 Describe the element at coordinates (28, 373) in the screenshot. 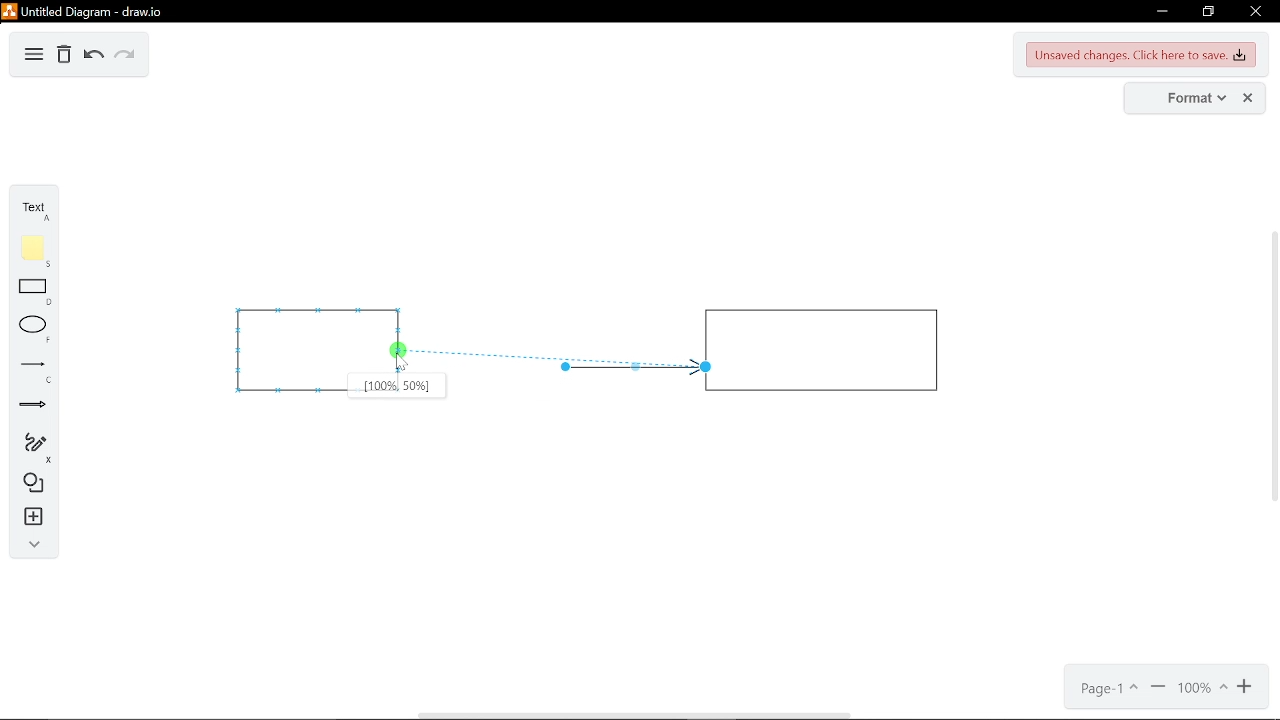

I see `lines` at that location.